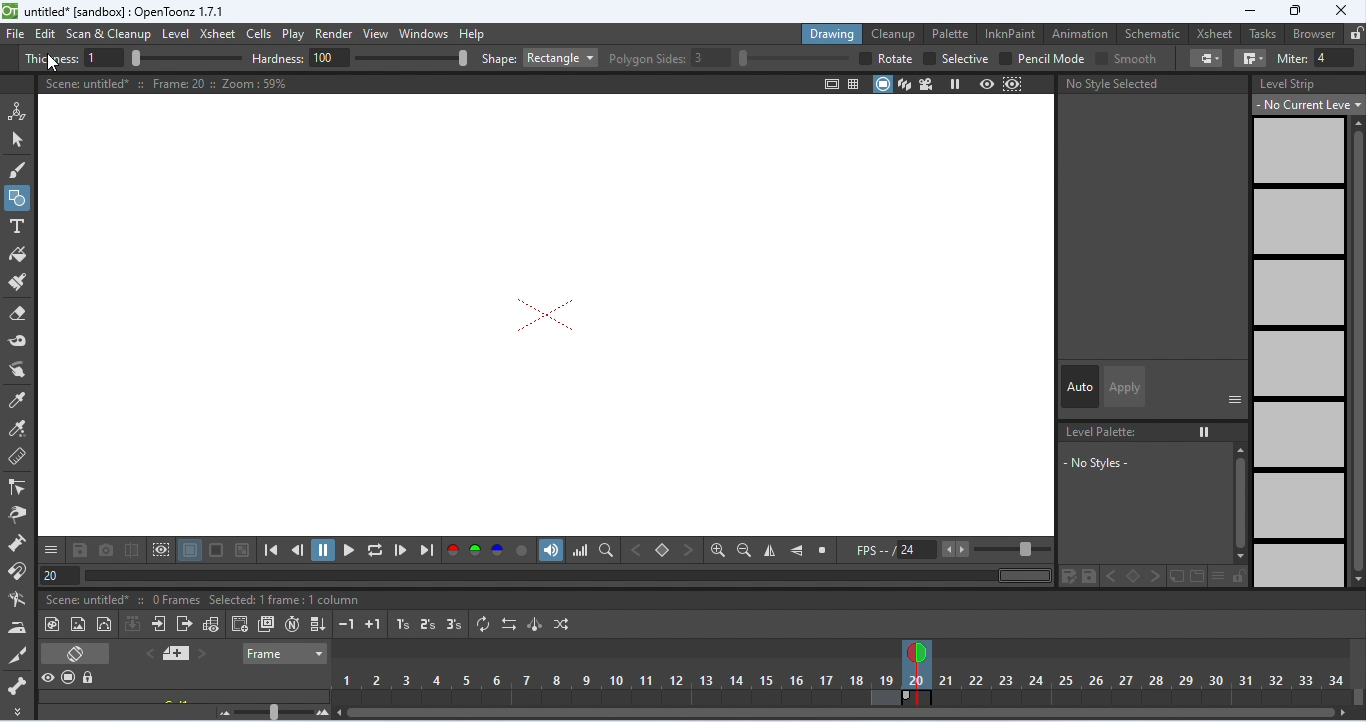 The height and width of the screenshot is (722, 1366). What do you see at coordinates (20, 311) in the screenshot?
I see `eraser` at bounding box center [20, 311].